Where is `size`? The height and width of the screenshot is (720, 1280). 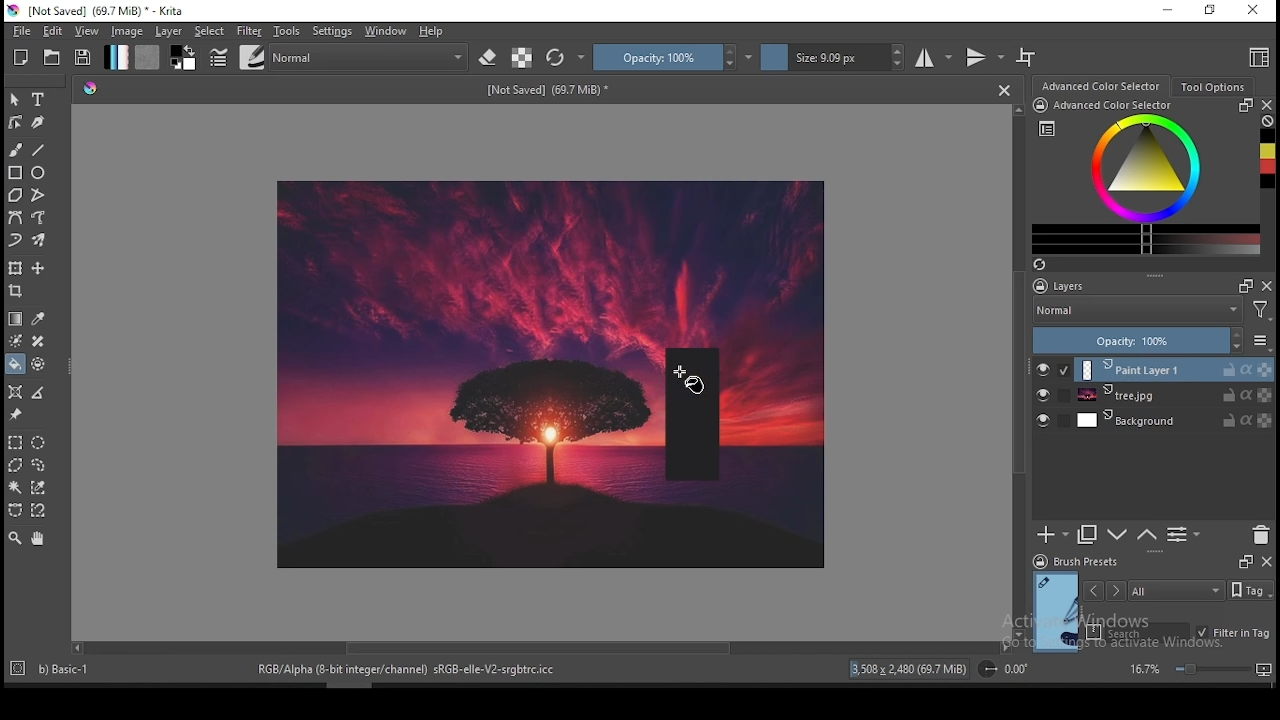
size is located at coordinates (833, 58).